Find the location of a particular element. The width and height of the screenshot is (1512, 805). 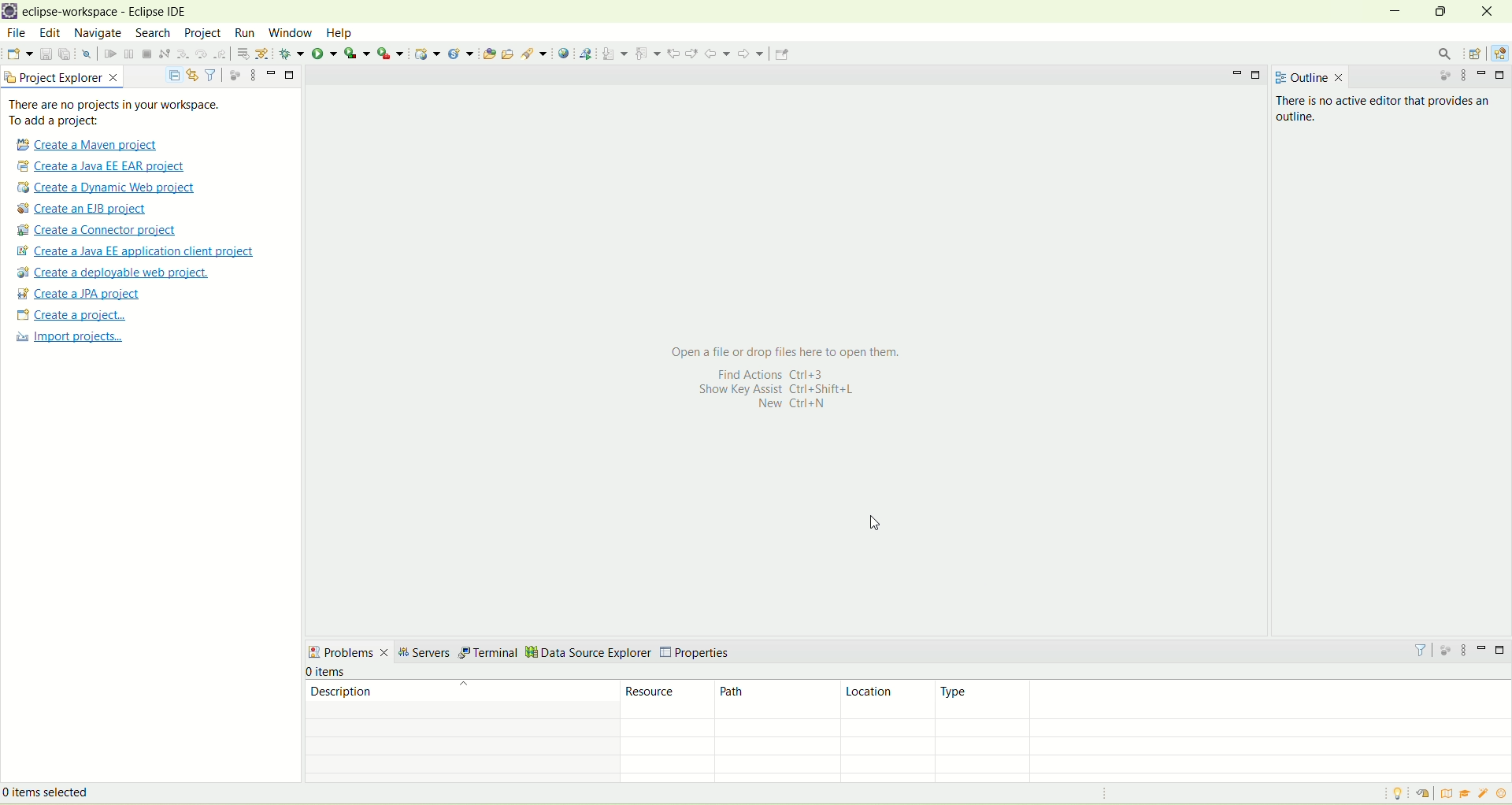

view menu is located at coordinates (1467, 651).